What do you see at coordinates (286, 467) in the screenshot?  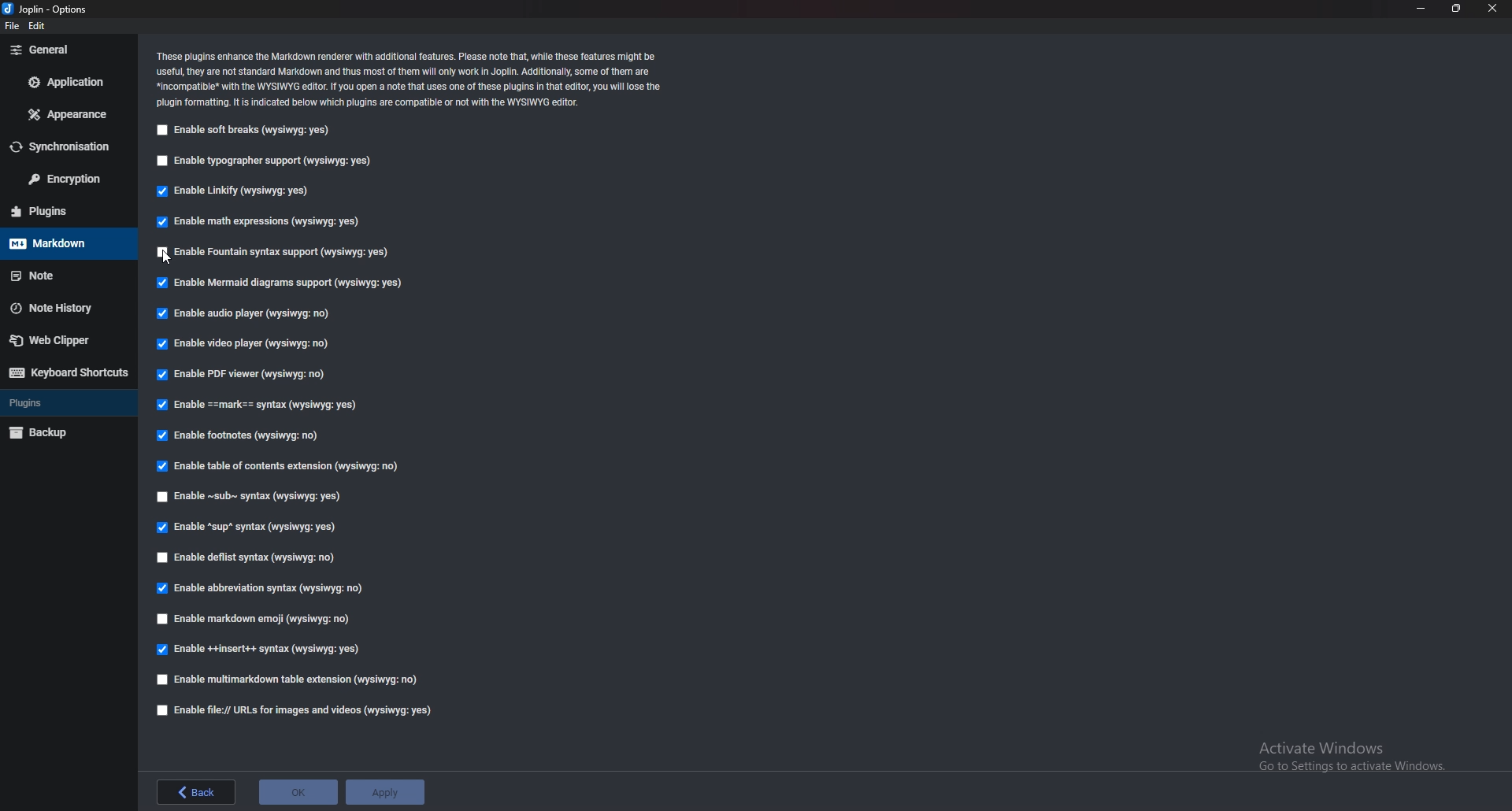 I see `Enable table of contents` at bounding box center [286, 467].